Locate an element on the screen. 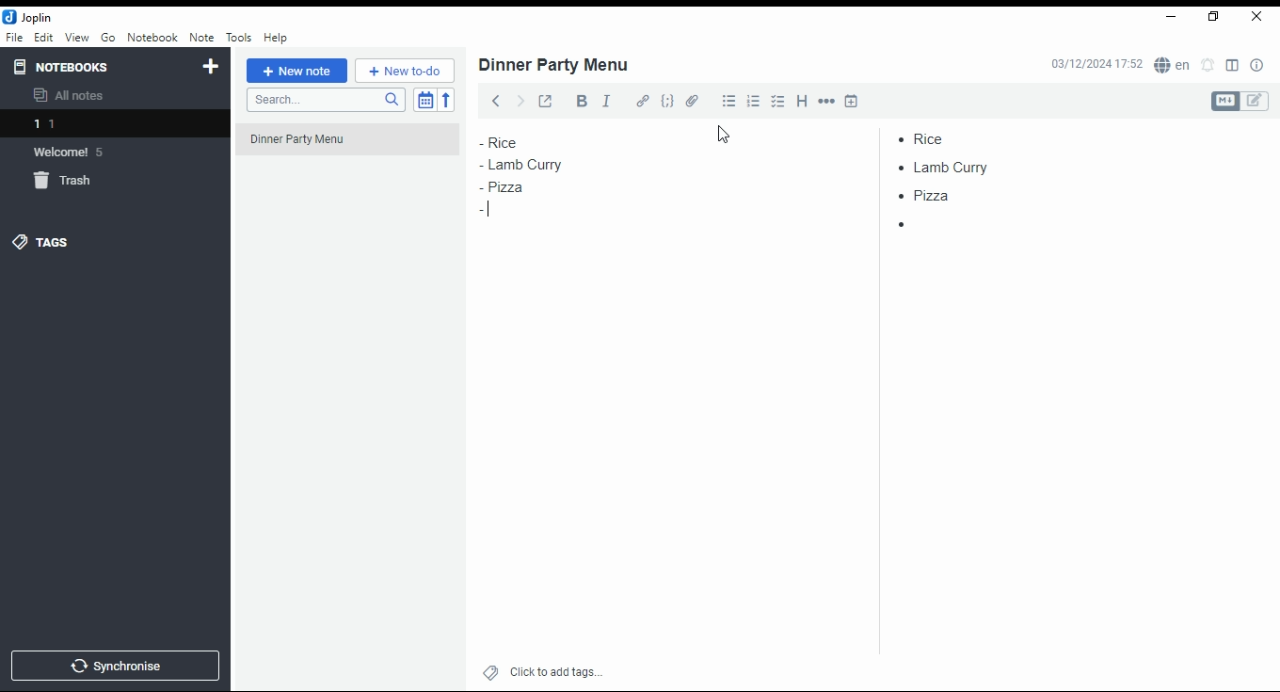  attach file is located at coordinates (695, 100).